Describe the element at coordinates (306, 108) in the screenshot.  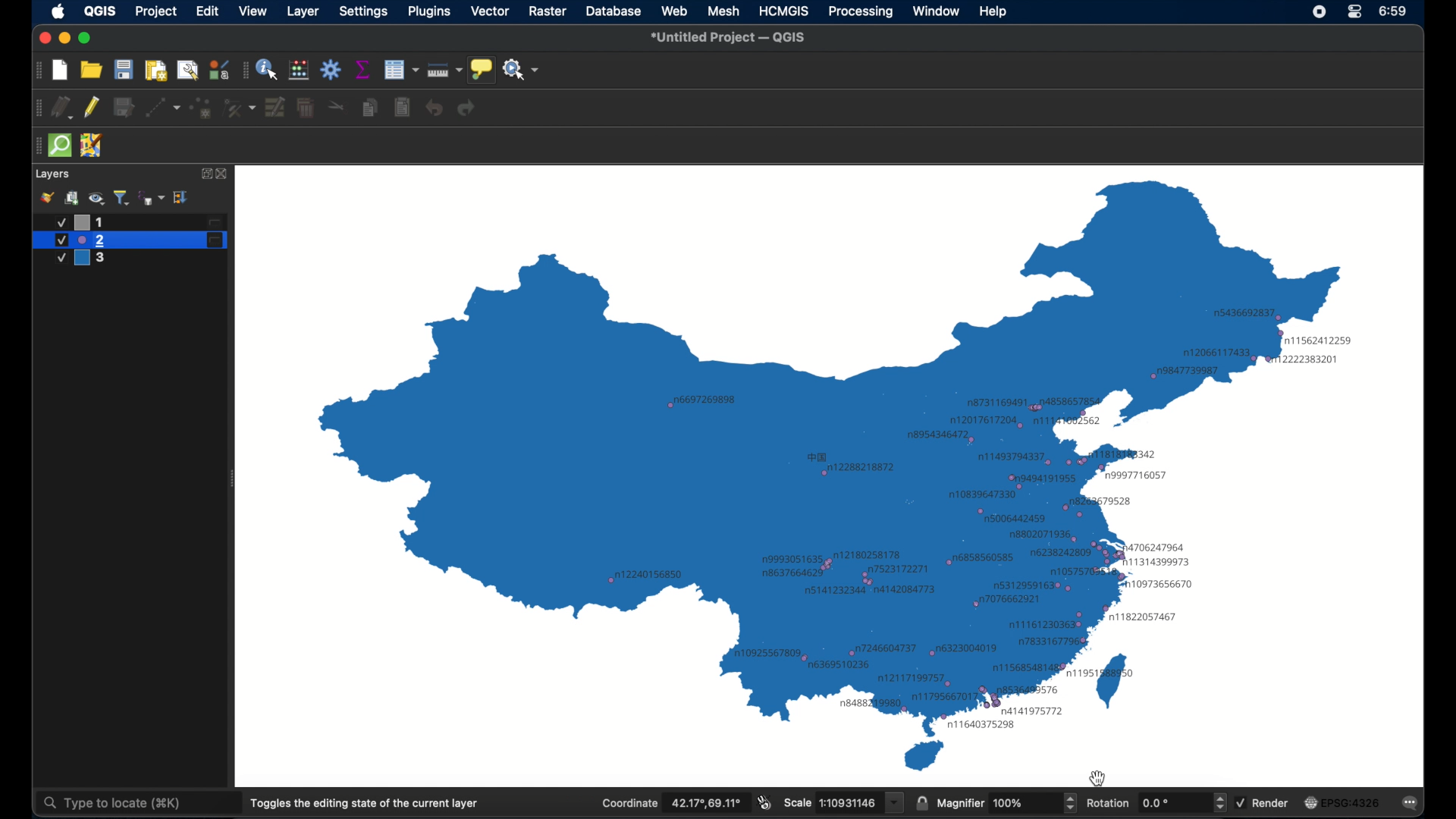
I see `delete selected` at that location.